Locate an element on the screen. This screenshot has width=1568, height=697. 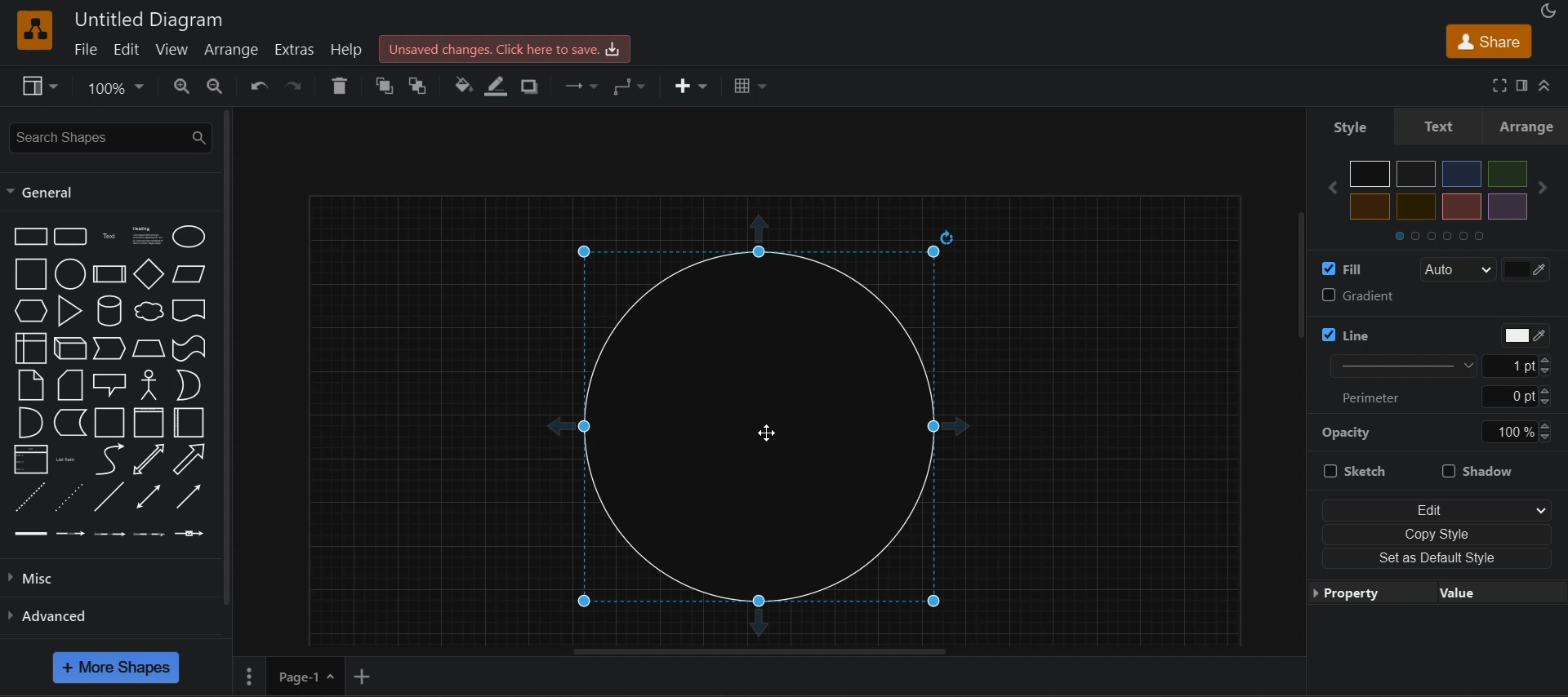
arrange is located at coordinates (1525, 129).